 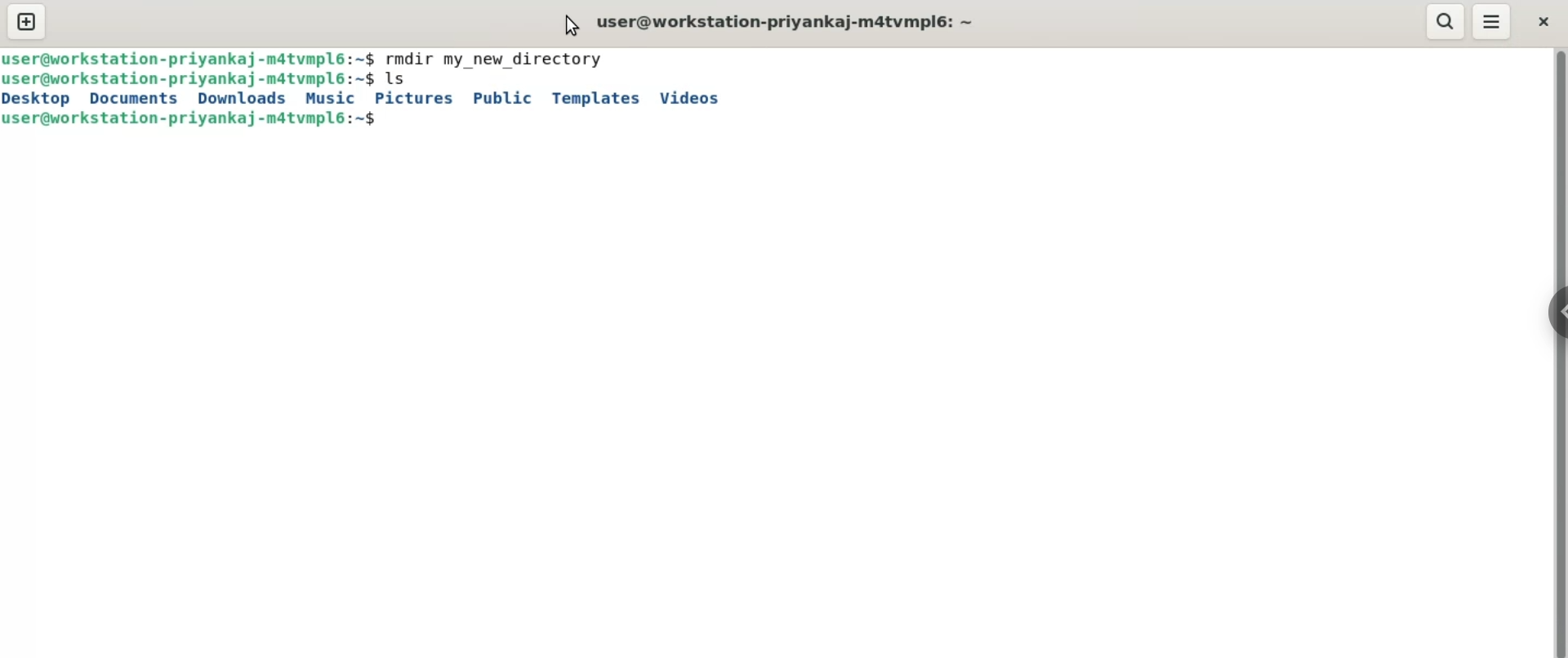 I want to click on verical scroll bar, so click(x=1558, y=351).